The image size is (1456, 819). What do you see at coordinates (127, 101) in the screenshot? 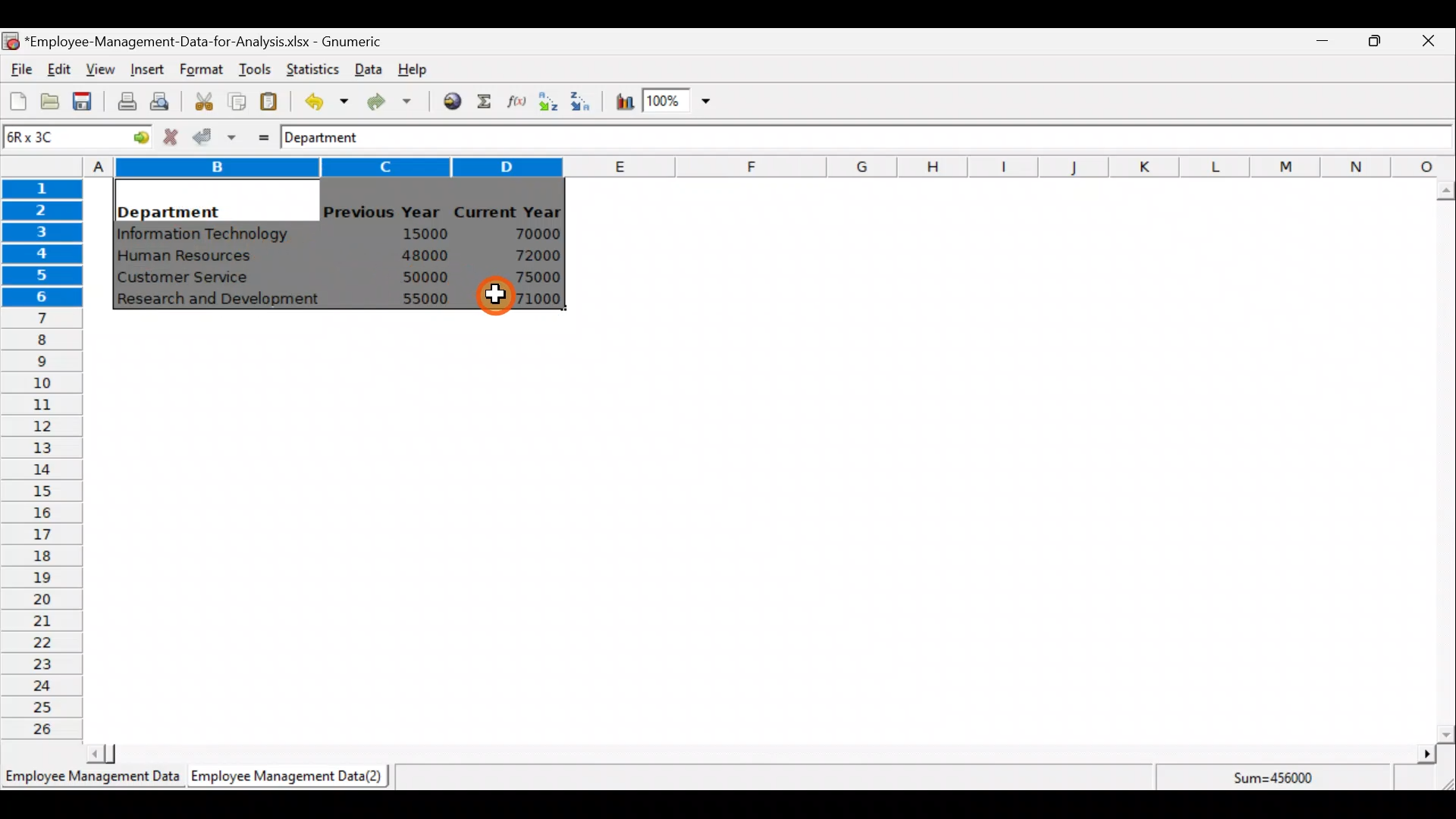
I see `Print current file` at bounding box center [127, 101].